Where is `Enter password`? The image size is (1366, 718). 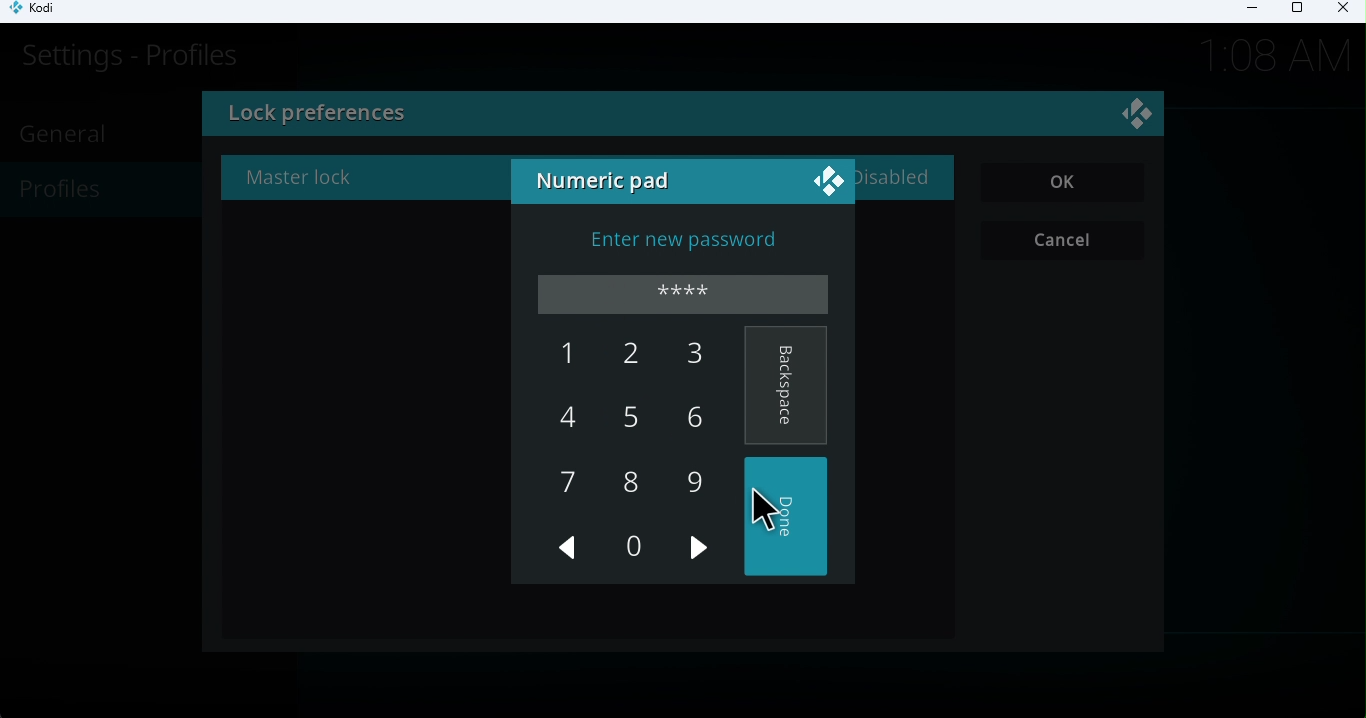 Enter password is located at coordinates (687, 295).